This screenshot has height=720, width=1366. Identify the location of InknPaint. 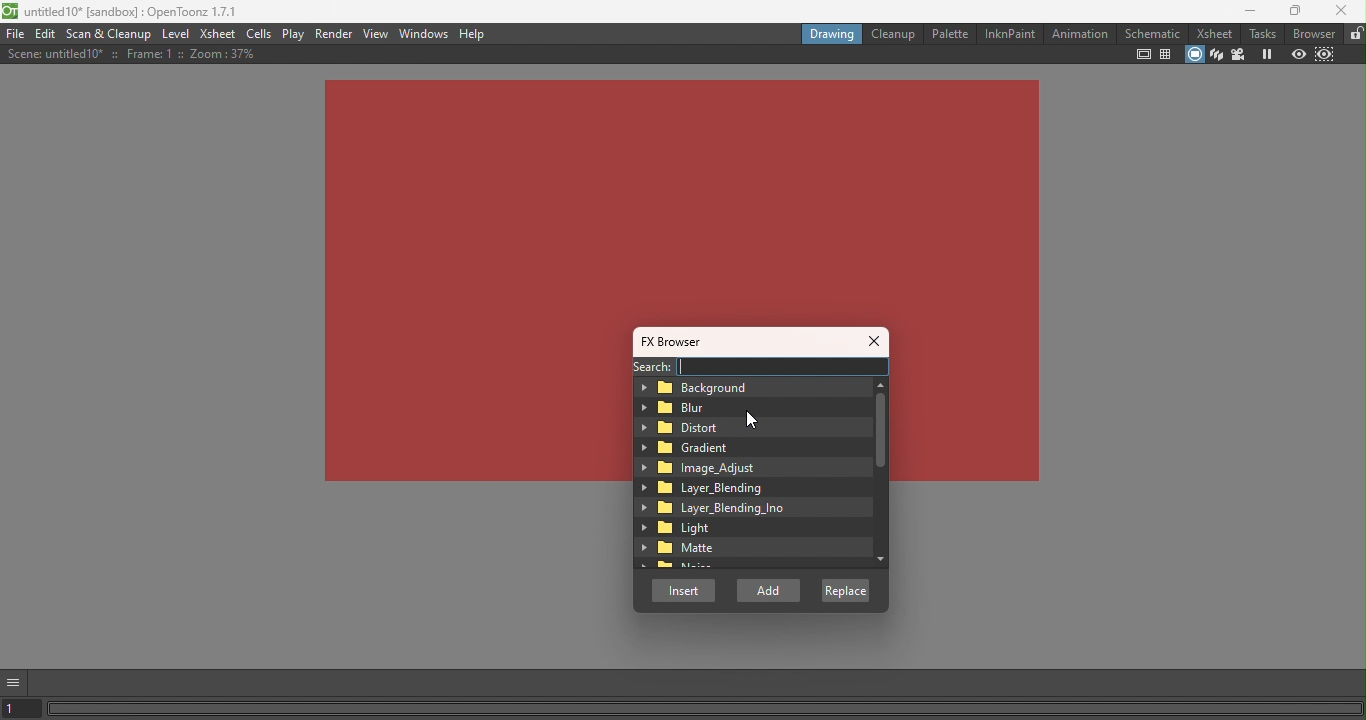
(1010, 33).